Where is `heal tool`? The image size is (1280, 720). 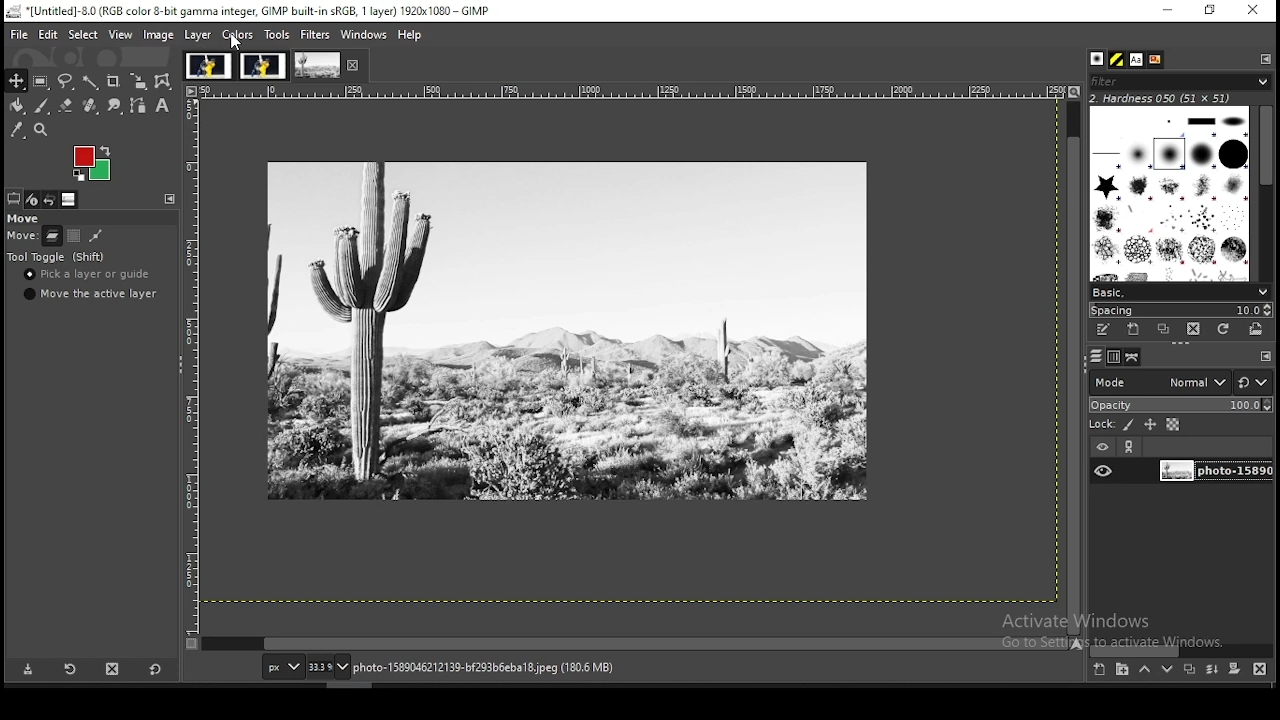
heal tool is located at coordinates (93, 105).